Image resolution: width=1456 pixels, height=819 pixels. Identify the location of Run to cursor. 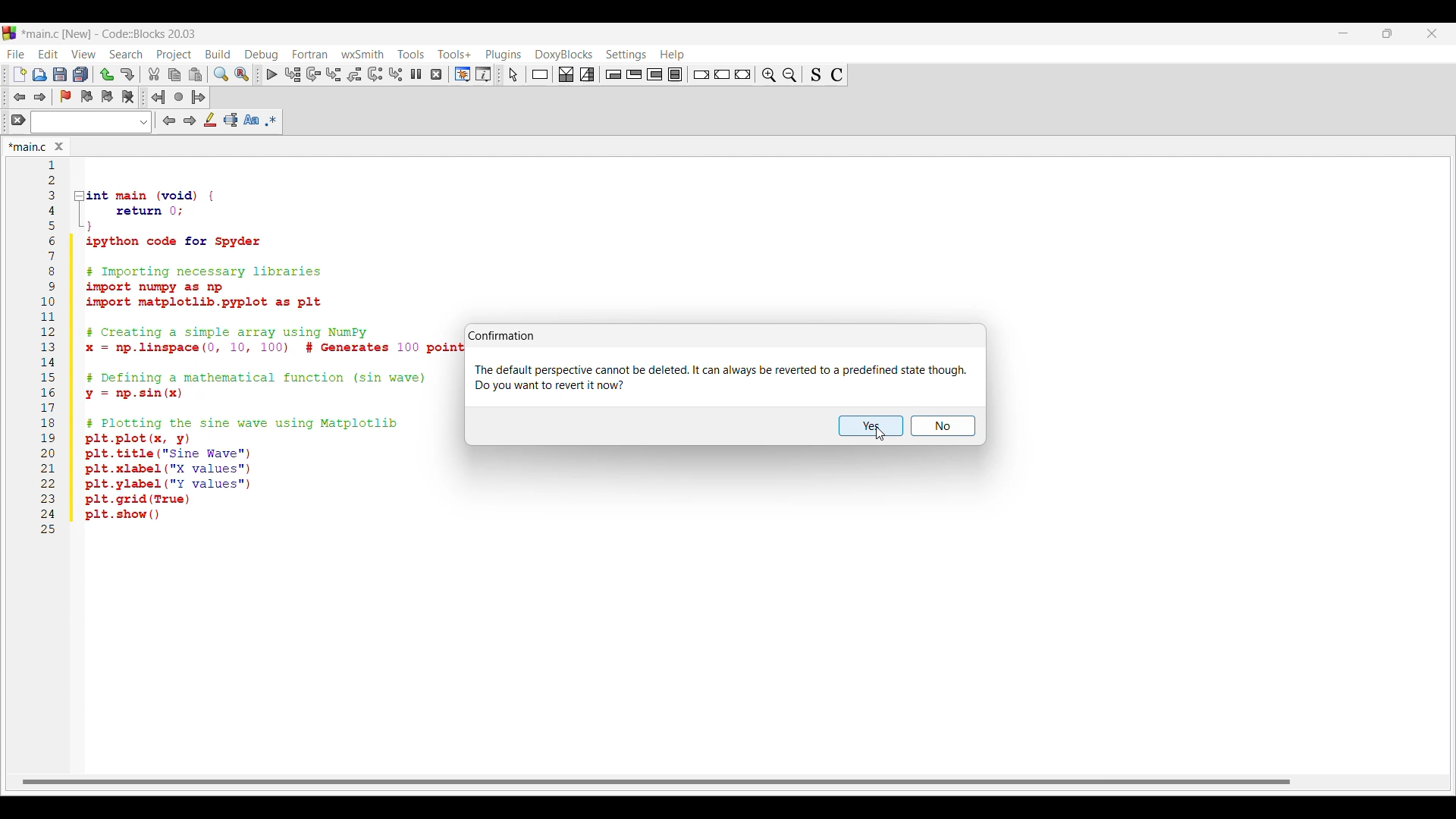
(292, 74).